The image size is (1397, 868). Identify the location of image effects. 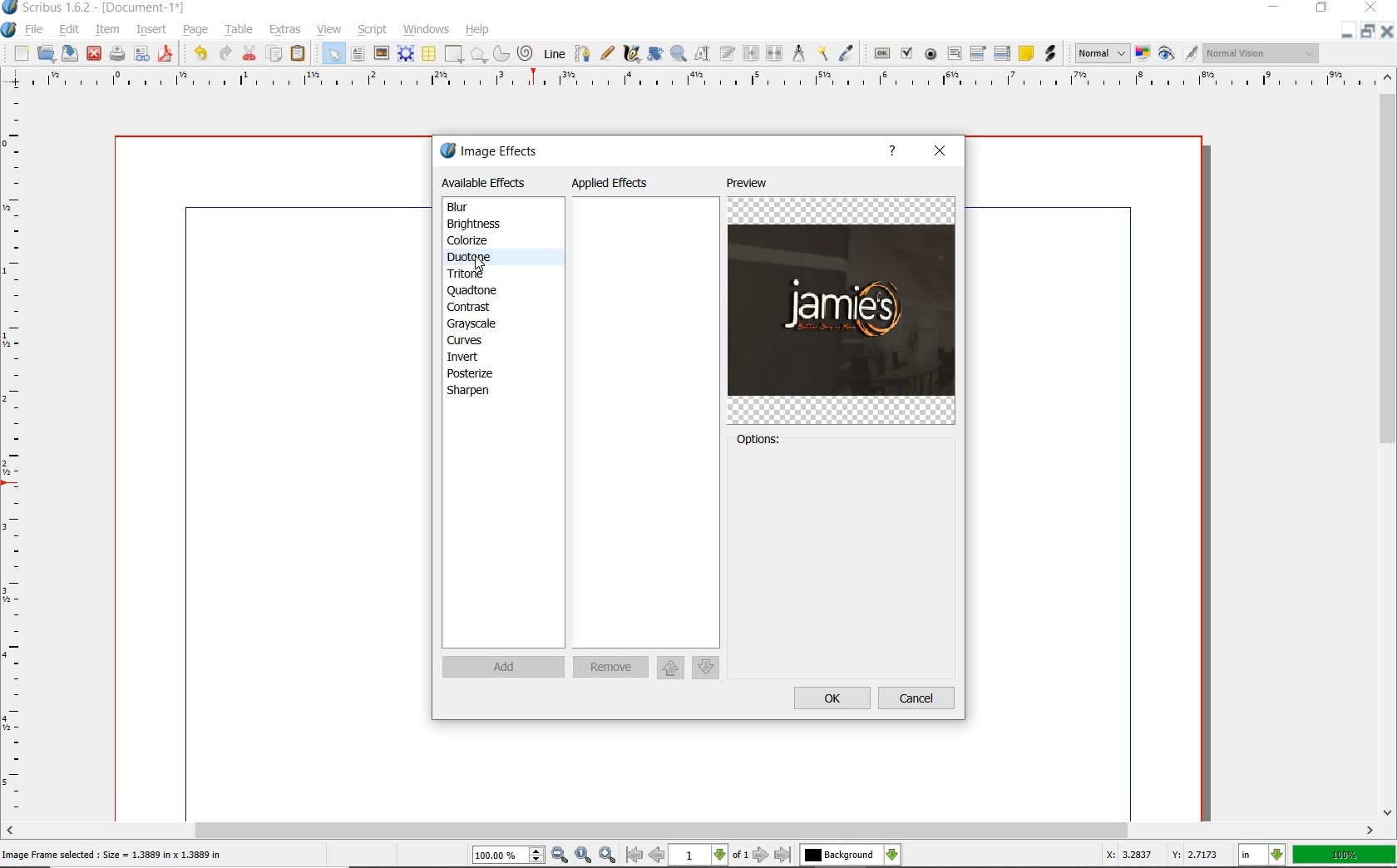
(493, 152).